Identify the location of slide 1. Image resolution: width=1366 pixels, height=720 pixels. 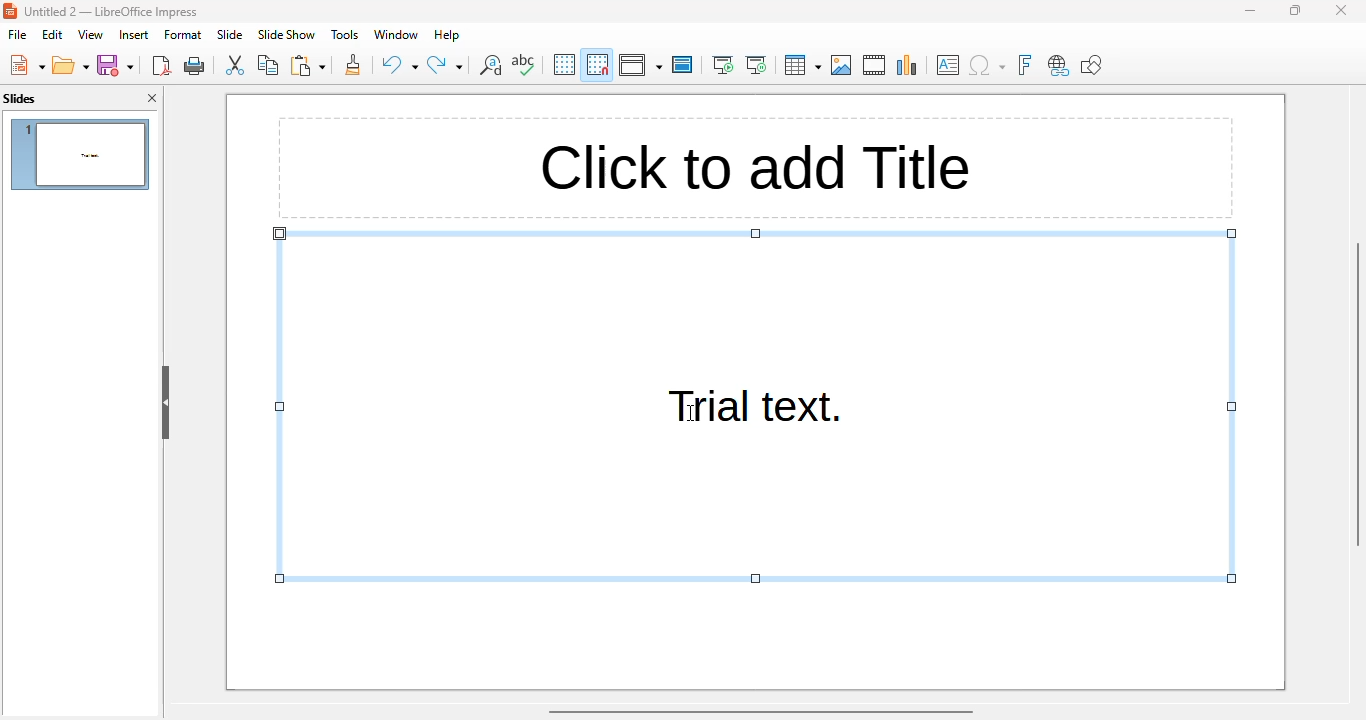
(79, 154).